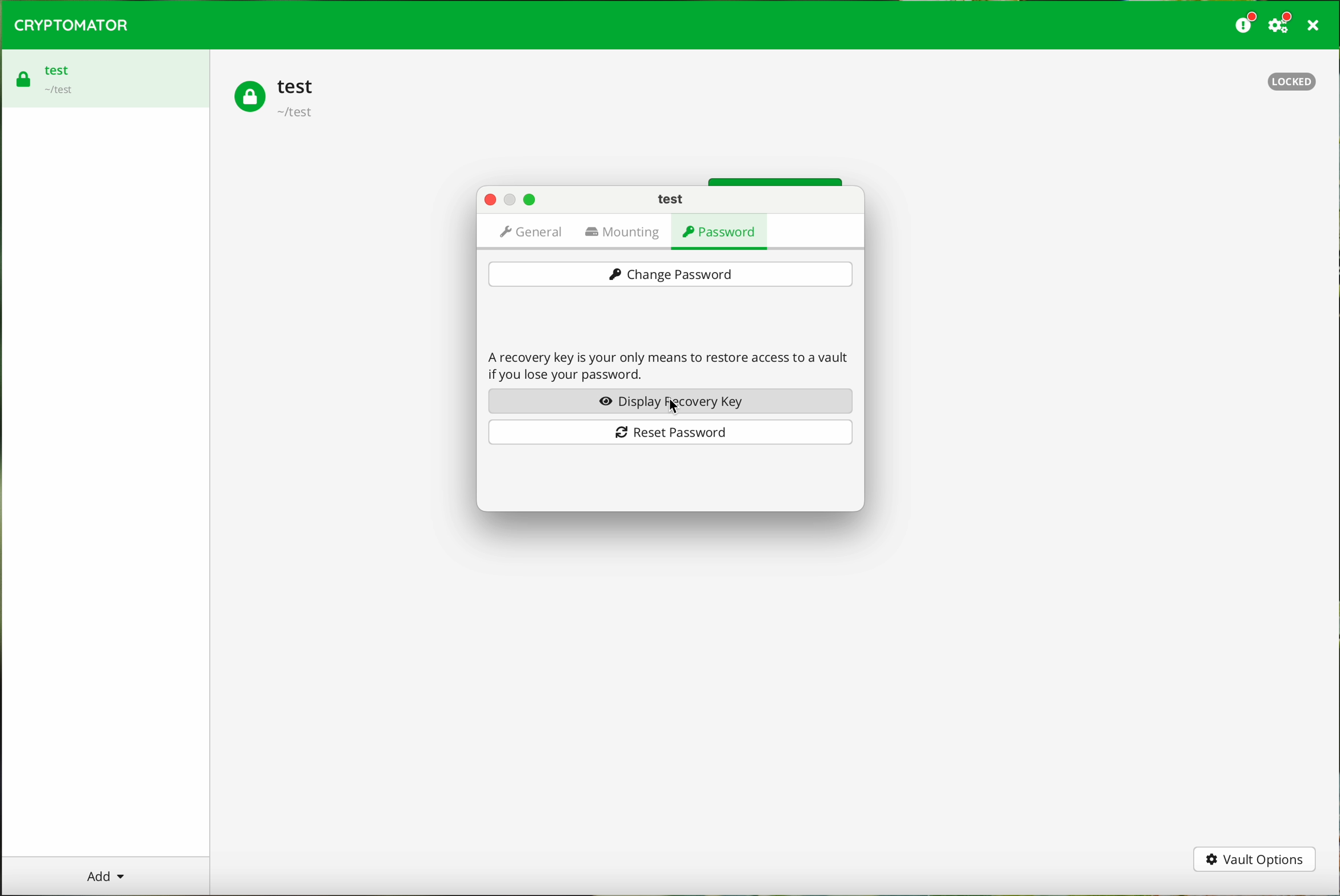 Image resolution: width=1340 pixels, height=896 pixels. What do you see at coordinates (624, 233) in the screenshot?
I see `mounting` at bounding box center [624, 233].